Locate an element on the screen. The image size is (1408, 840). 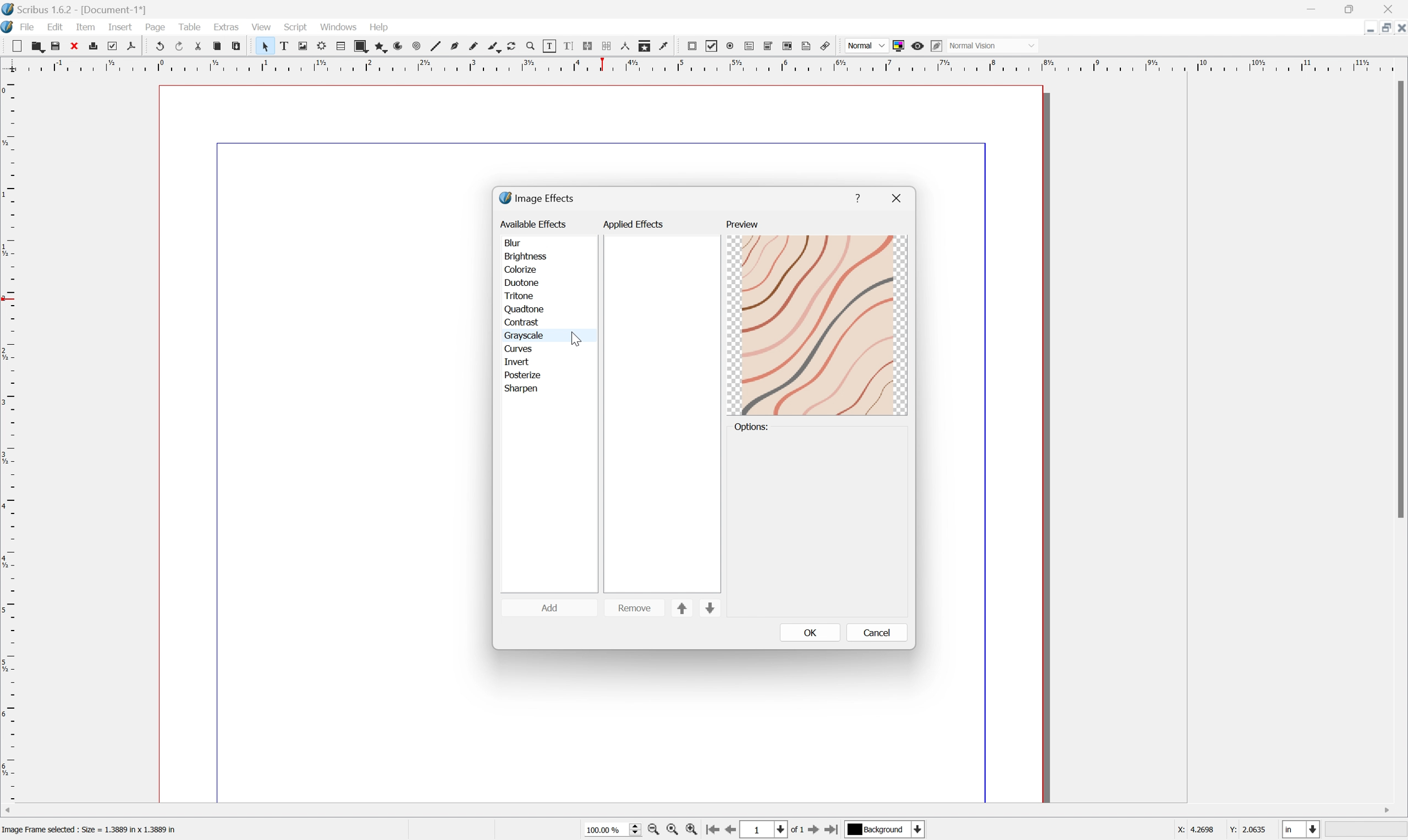
Go to the previous page is located at coordinates (735, 830).